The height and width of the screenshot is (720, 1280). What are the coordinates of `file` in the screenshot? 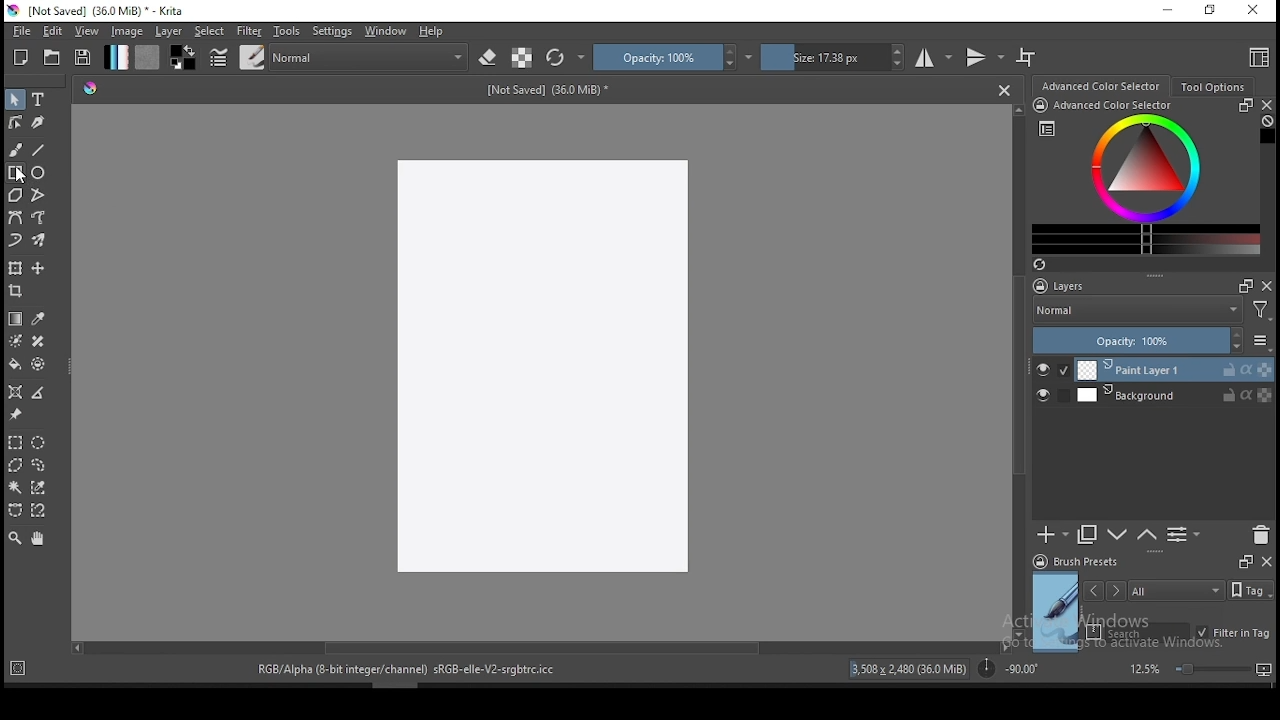 It's located at (21, 31).